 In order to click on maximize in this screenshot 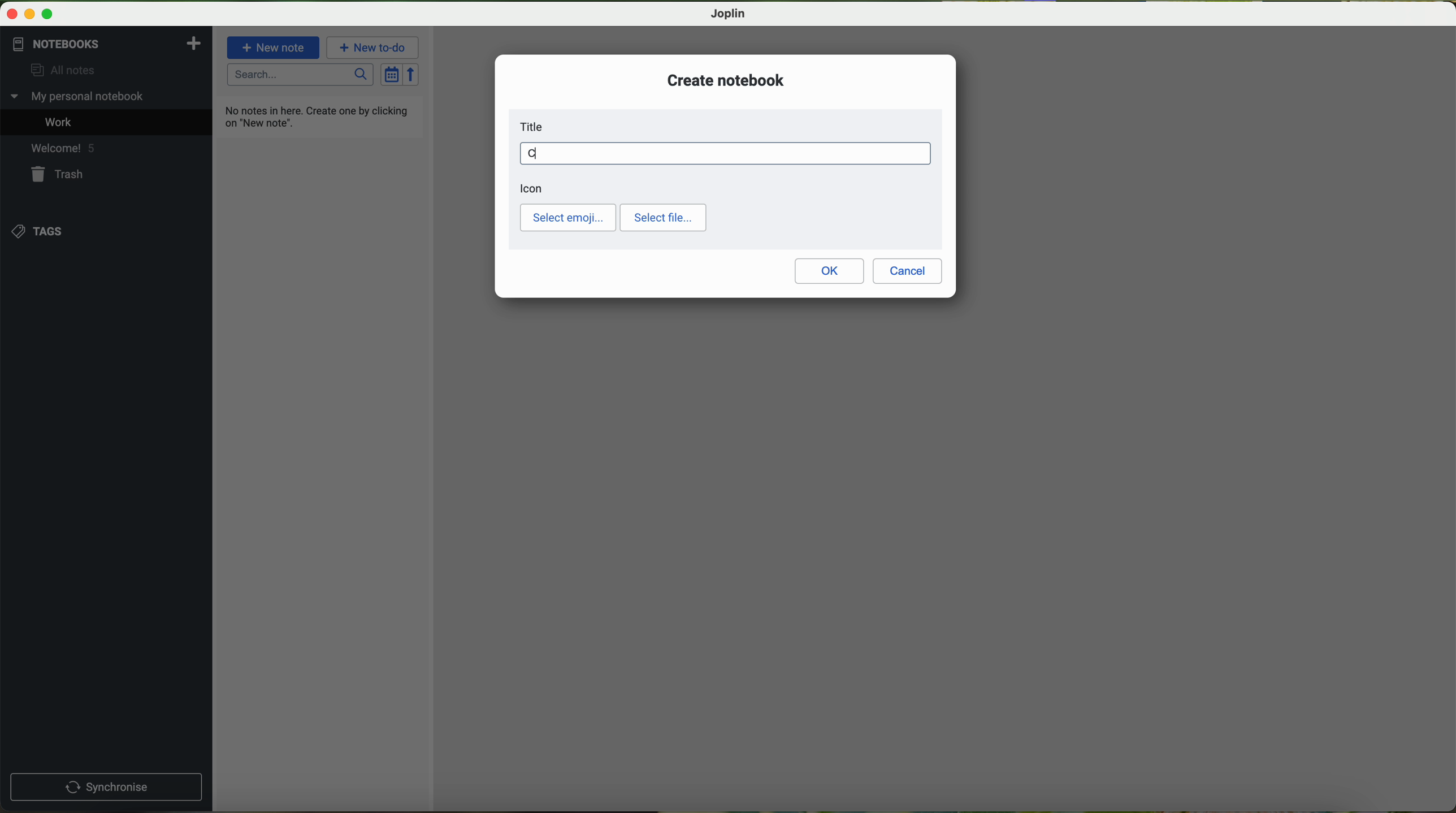, I will do `click(47, 15)`.